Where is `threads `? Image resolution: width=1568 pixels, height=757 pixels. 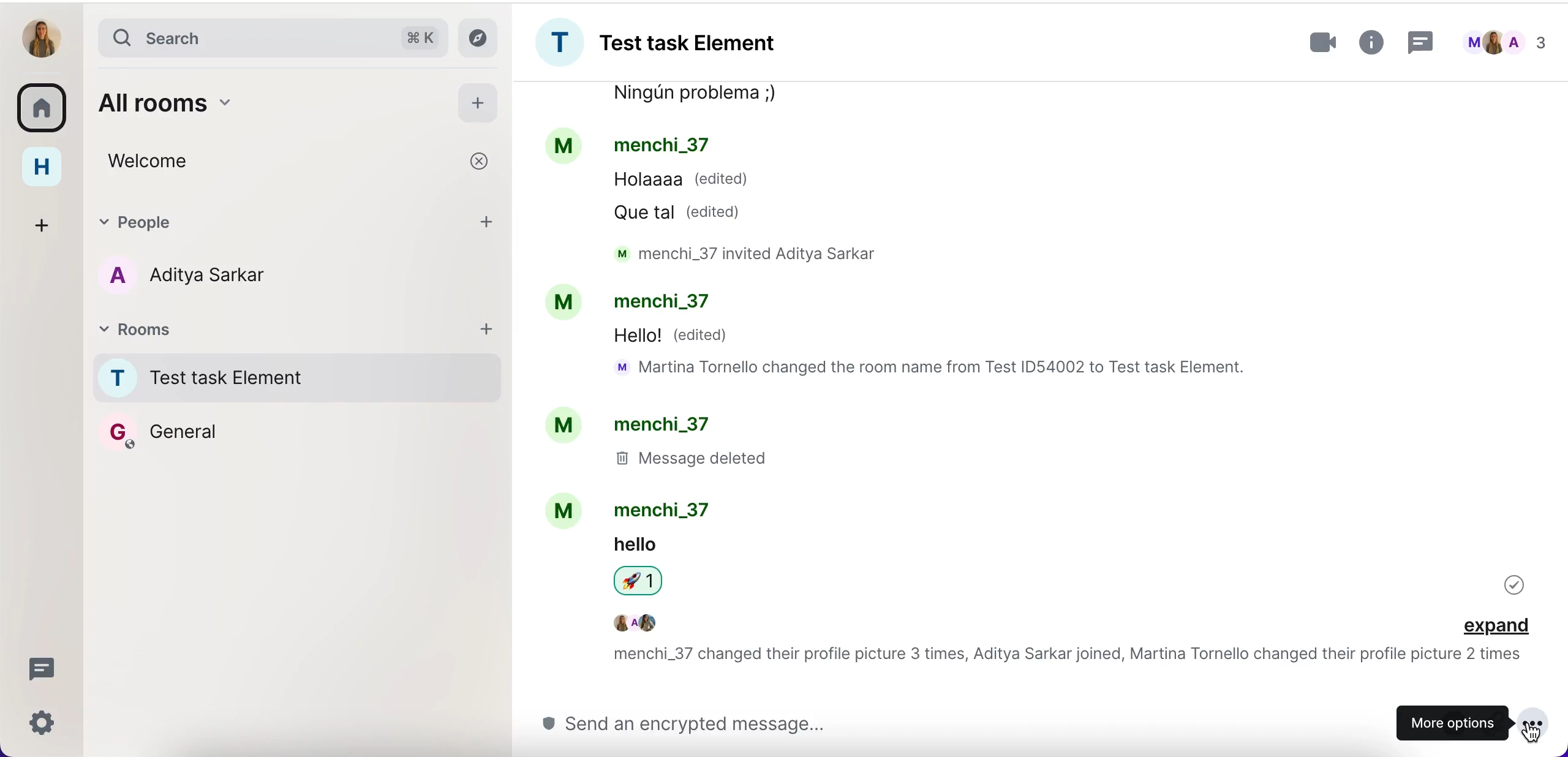 threads  is located at coordinates (1421, 40).